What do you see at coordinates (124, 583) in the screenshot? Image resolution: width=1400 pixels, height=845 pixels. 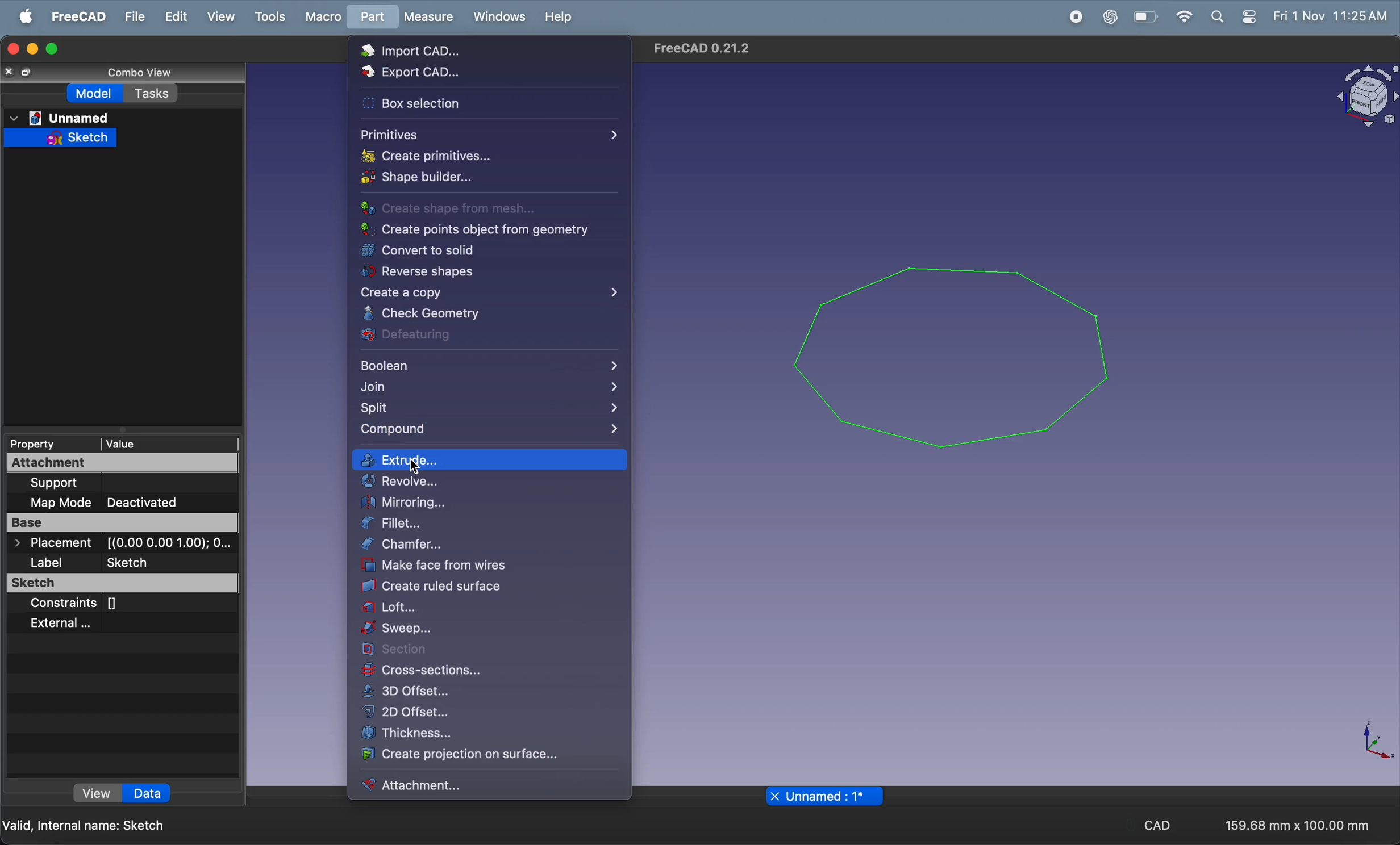 I see `sketch` at bounding box center [124, 583].